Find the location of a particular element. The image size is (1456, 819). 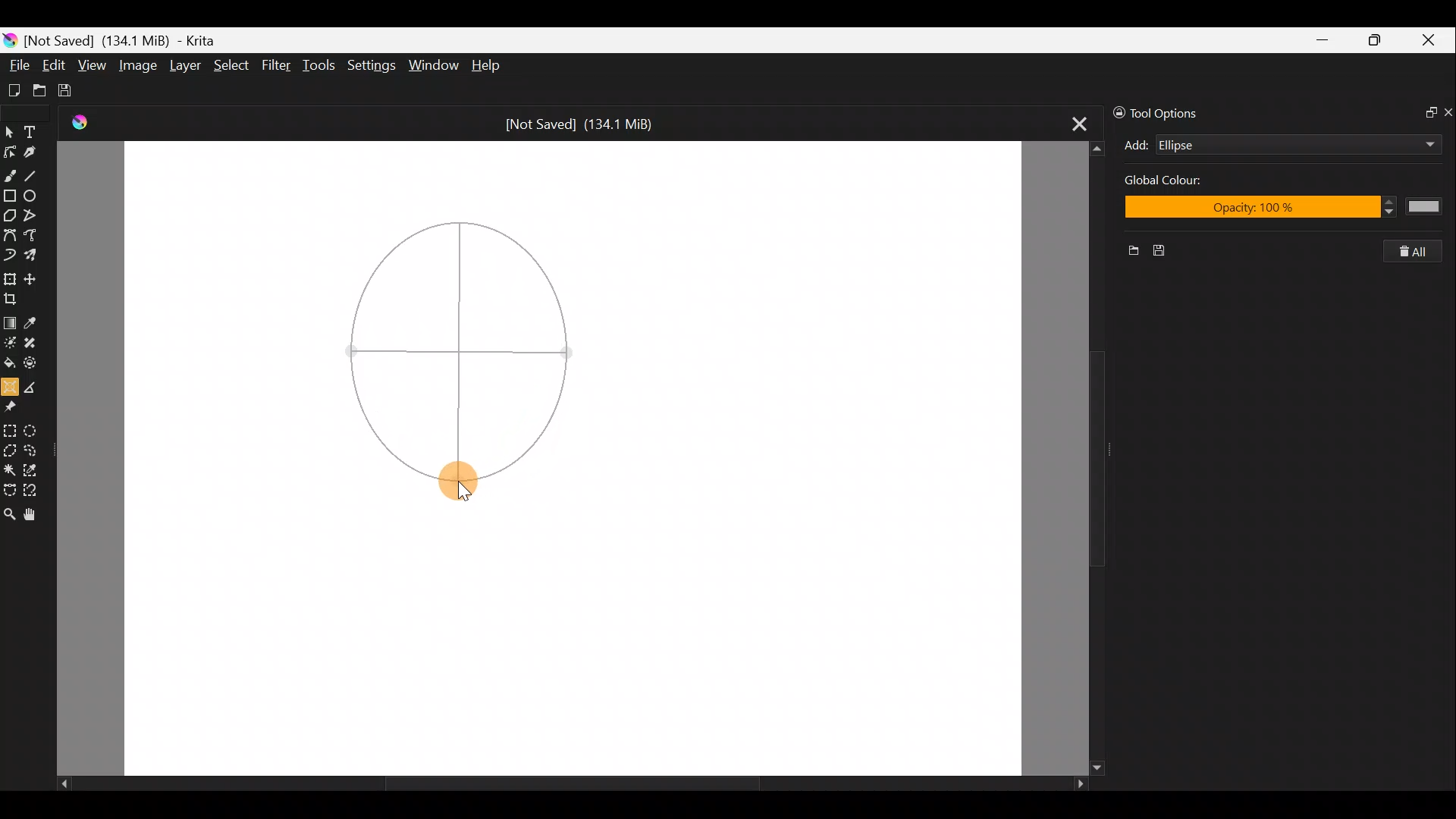

Filter is located at coordinates (277, 67).